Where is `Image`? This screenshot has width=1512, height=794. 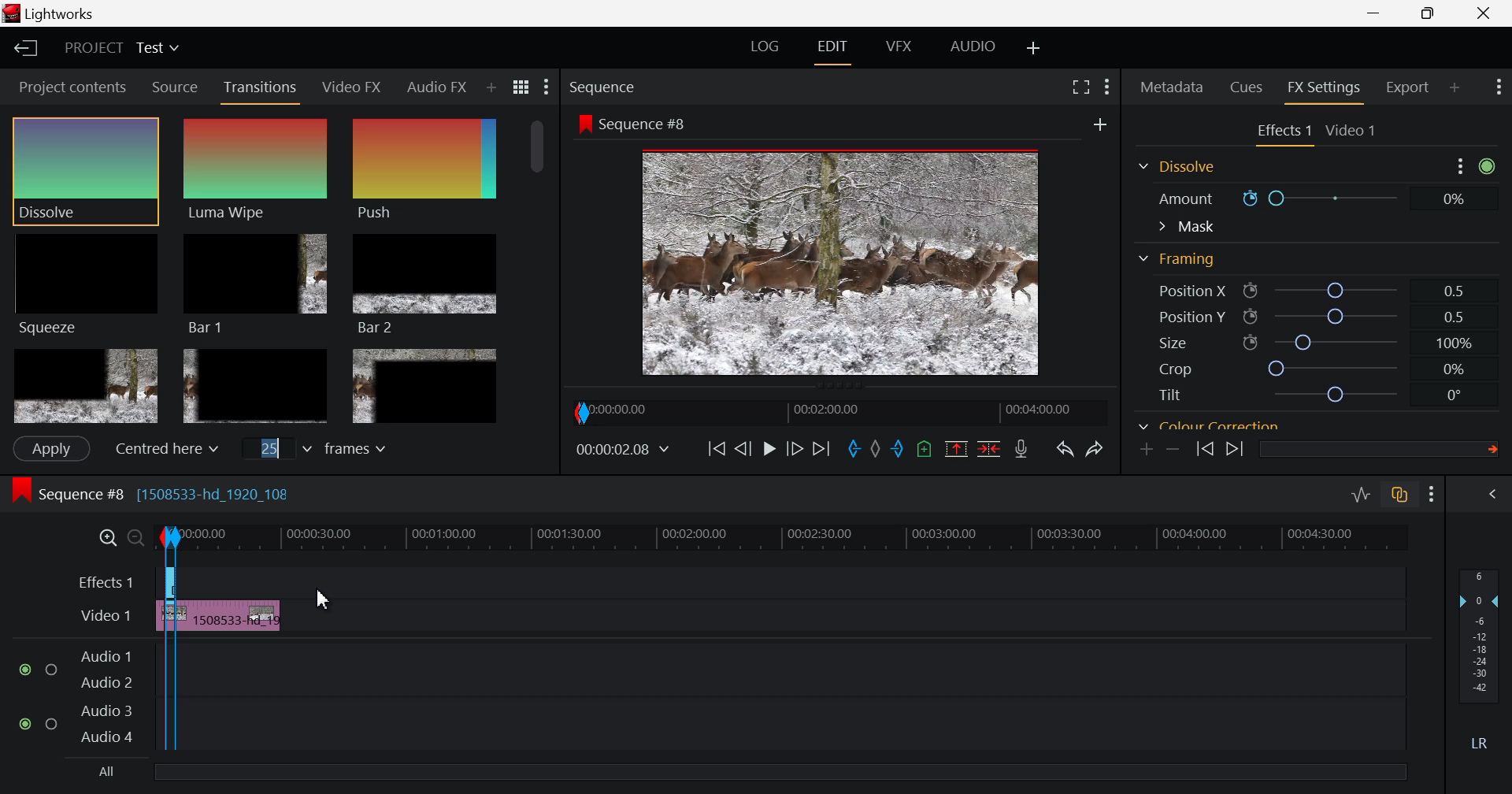 Image is located at coordinates (846, 265).